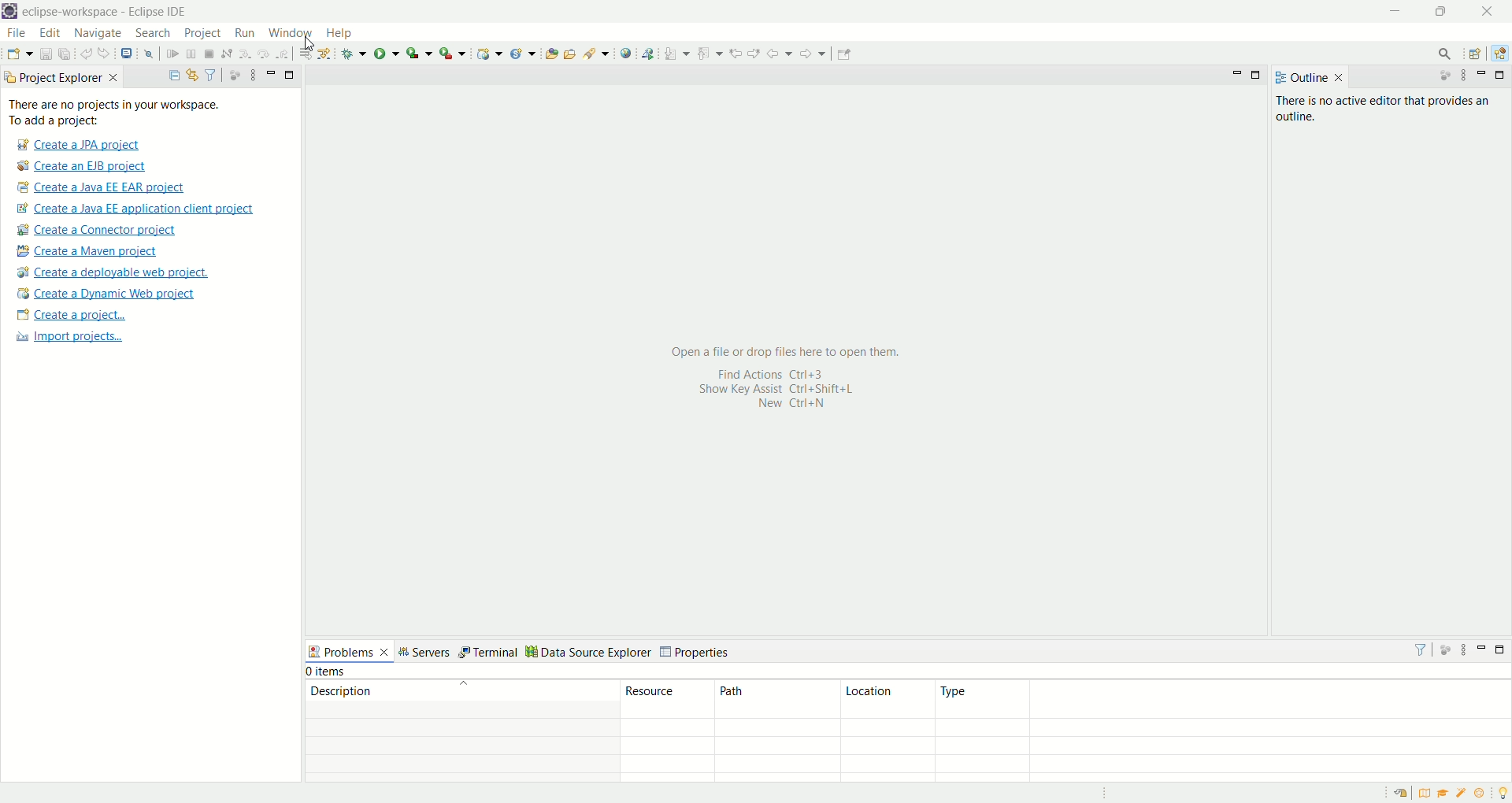  Describe the element at coordinates (347, 650) in the screenshot. I see `problems` at that location.